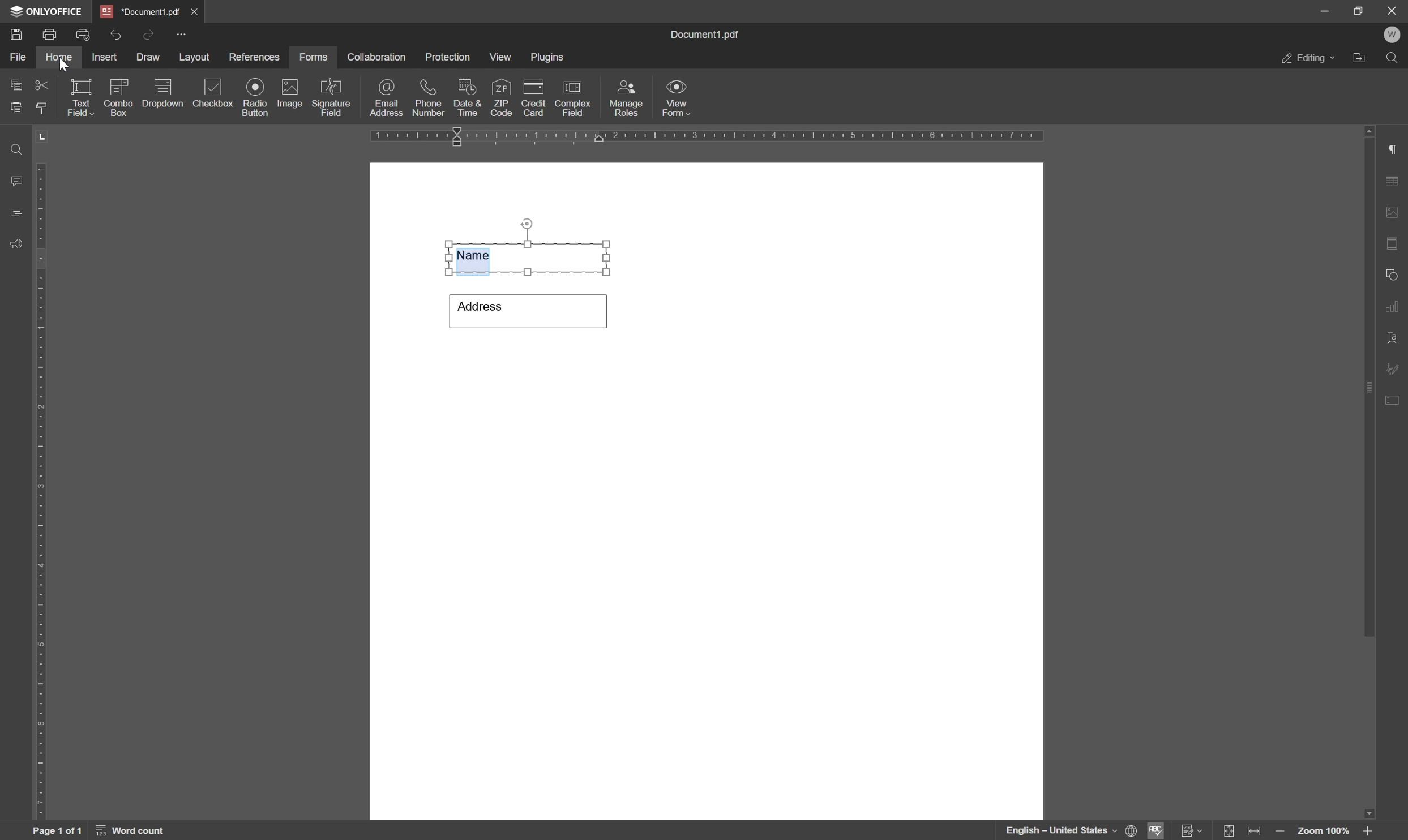 The height and width of the screenshot is (840, 1408). Describe the element at coordinates (16, 245) in the screenshot. I see `feedback & support` at that location.